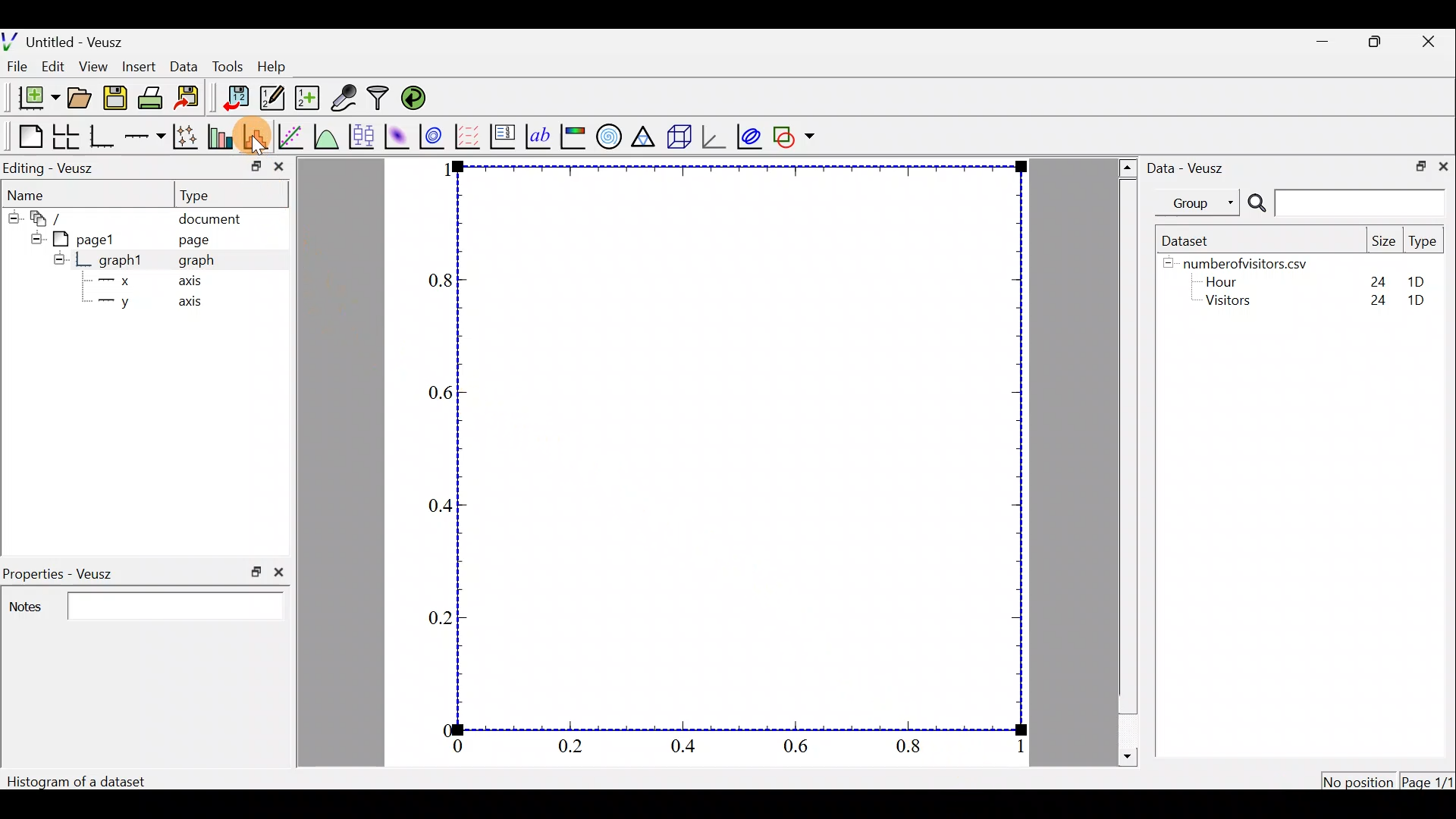  I want to click on edit and enter new datasets, so click(272, 99).